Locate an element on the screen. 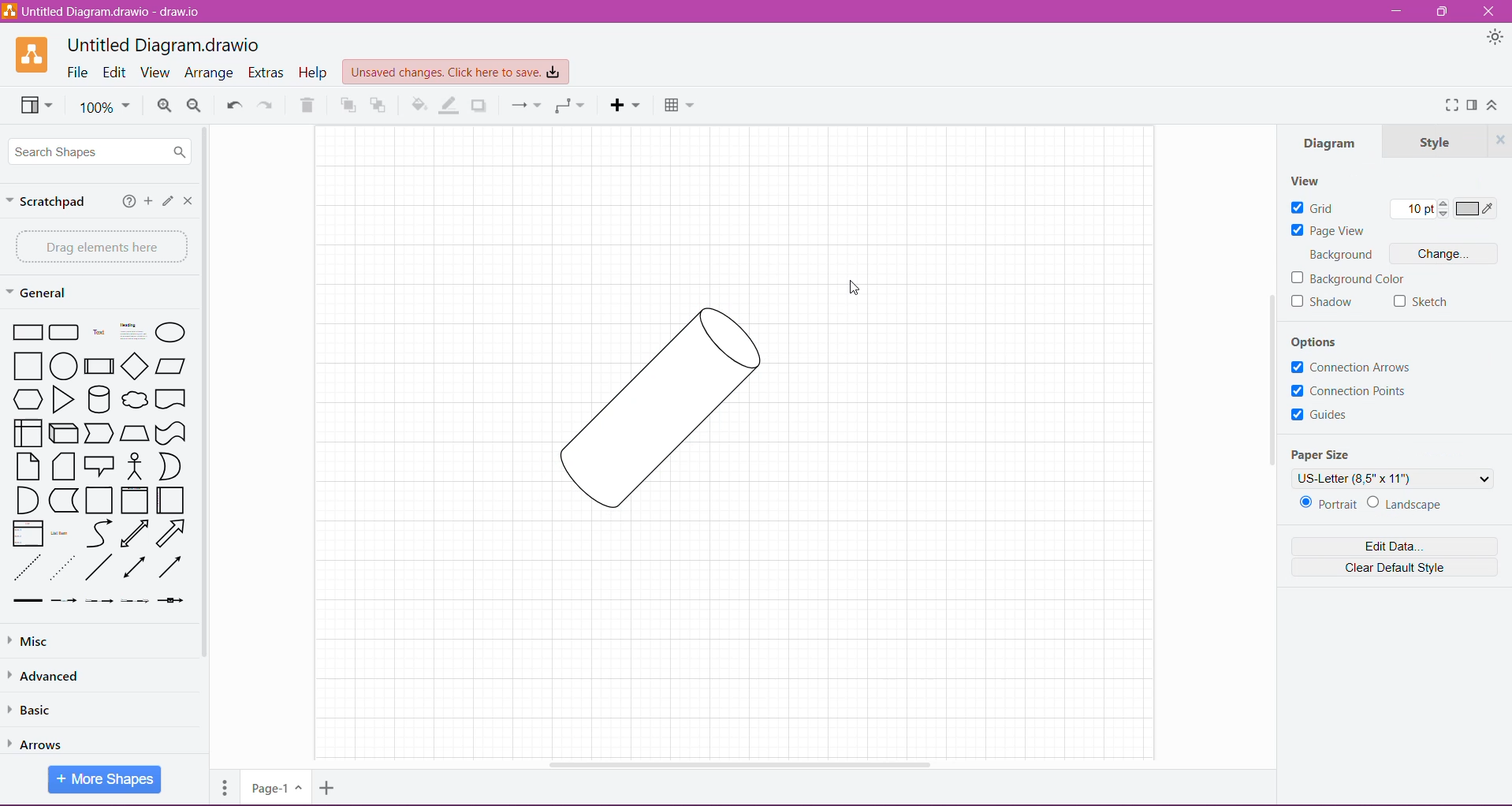 The image size is (1512, 806). Edit Data is located at coordinates (1393, 547).